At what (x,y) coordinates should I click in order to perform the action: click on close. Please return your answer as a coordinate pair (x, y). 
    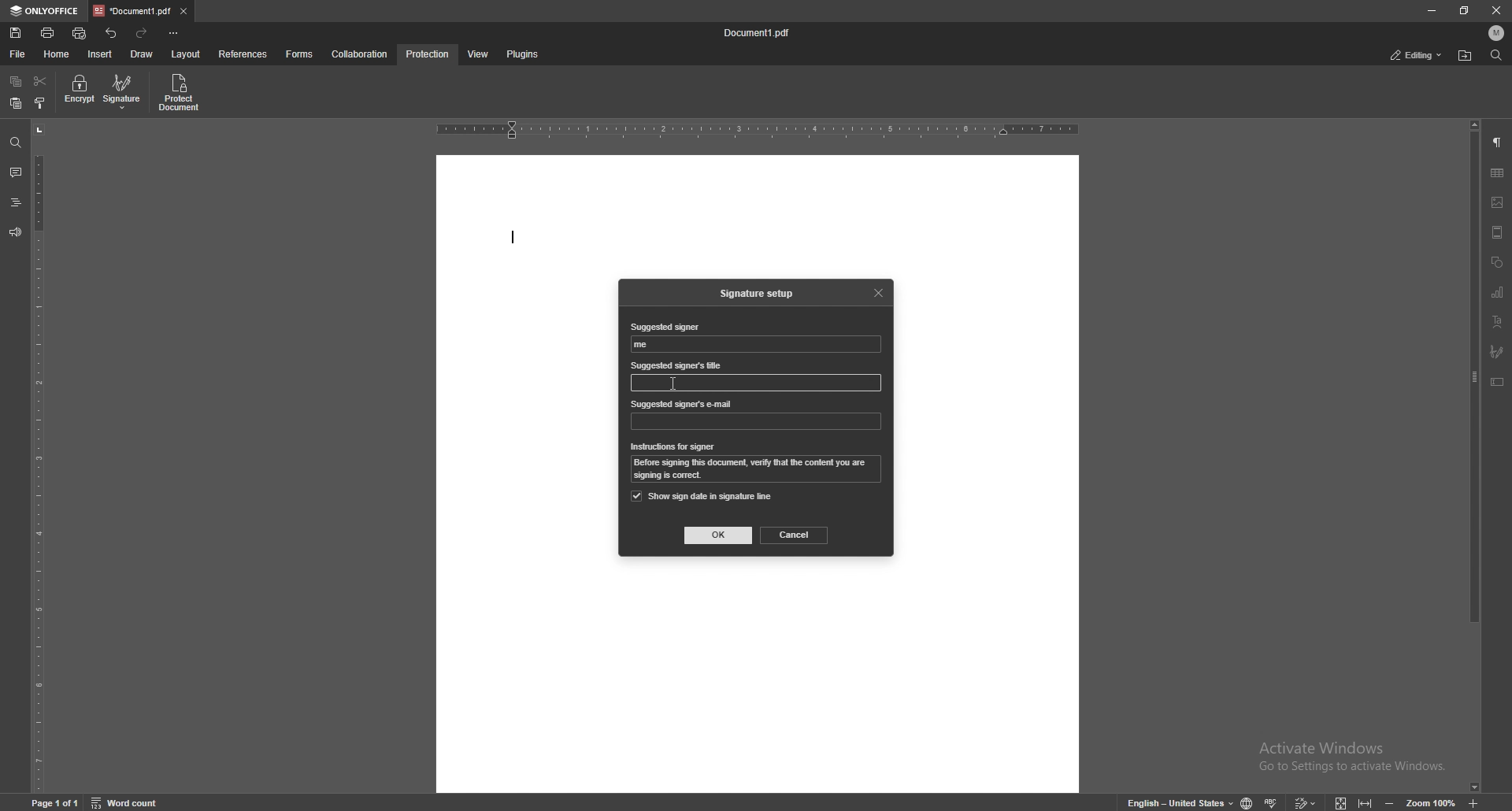
    Looking at the image, I should click on (1497, 12).